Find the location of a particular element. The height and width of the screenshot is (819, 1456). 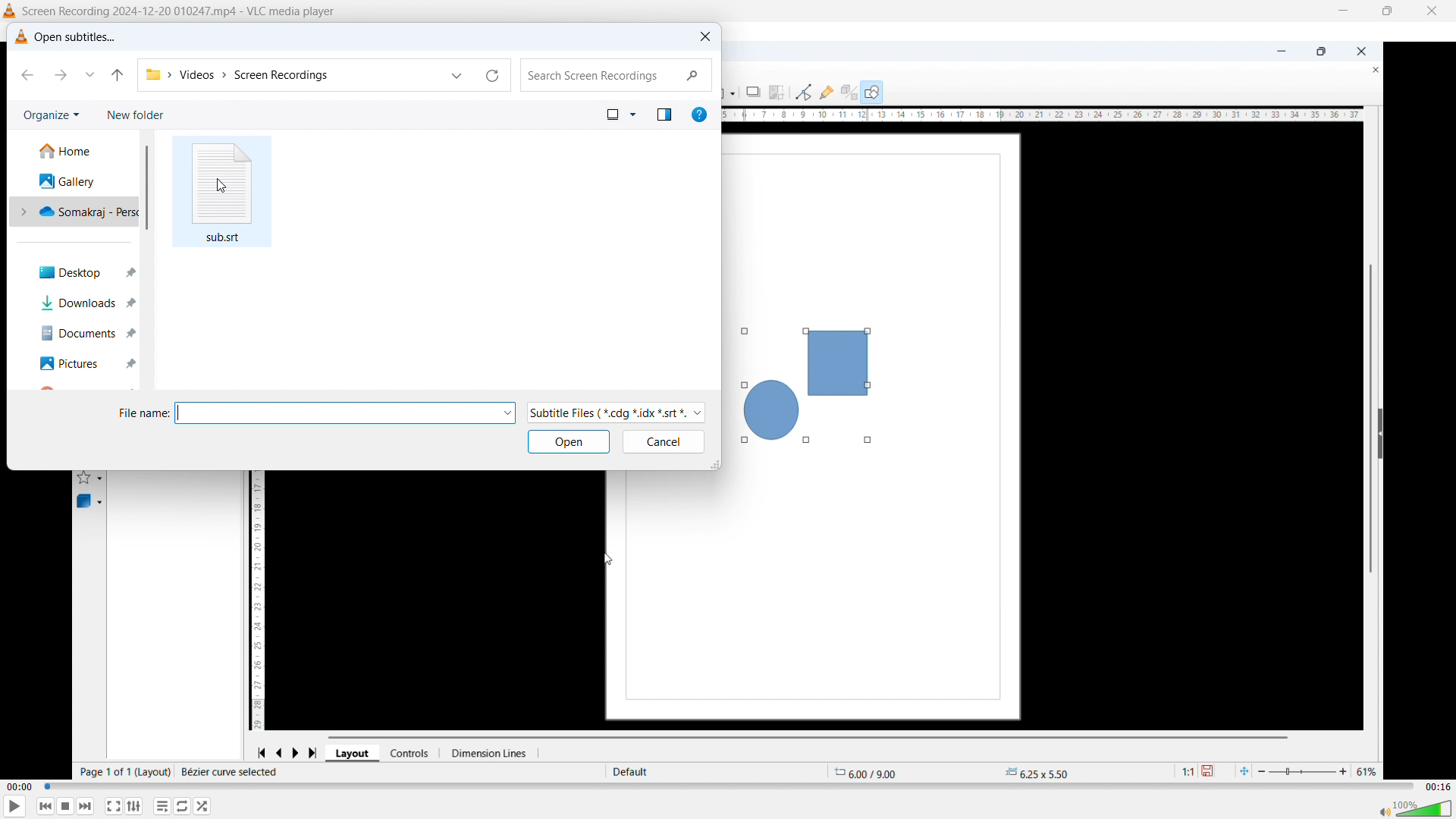

first page is located at coordinates (261, 751).